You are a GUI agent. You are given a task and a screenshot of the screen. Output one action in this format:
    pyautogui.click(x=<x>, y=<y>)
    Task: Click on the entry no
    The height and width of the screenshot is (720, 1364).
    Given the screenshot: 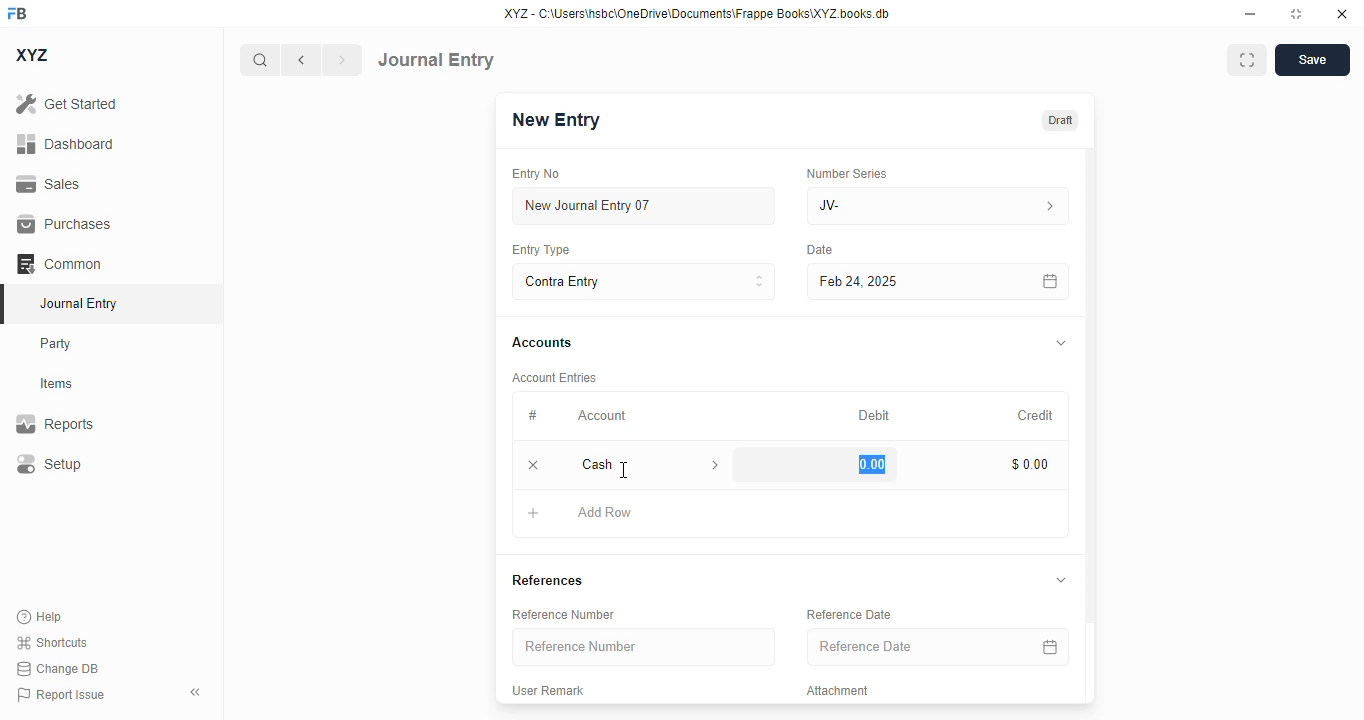 What is the action you would take?
    pyautogui.click(x=537, y=173)
    